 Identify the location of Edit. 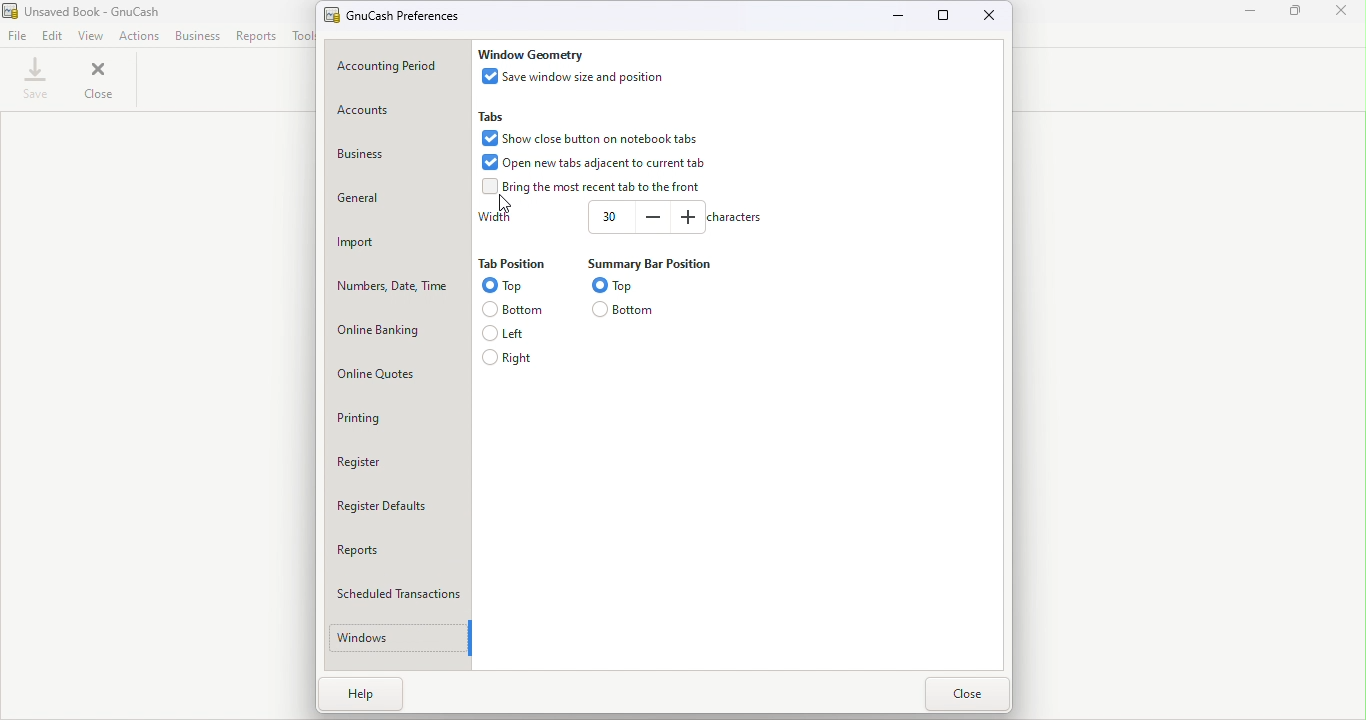
(53, 36).